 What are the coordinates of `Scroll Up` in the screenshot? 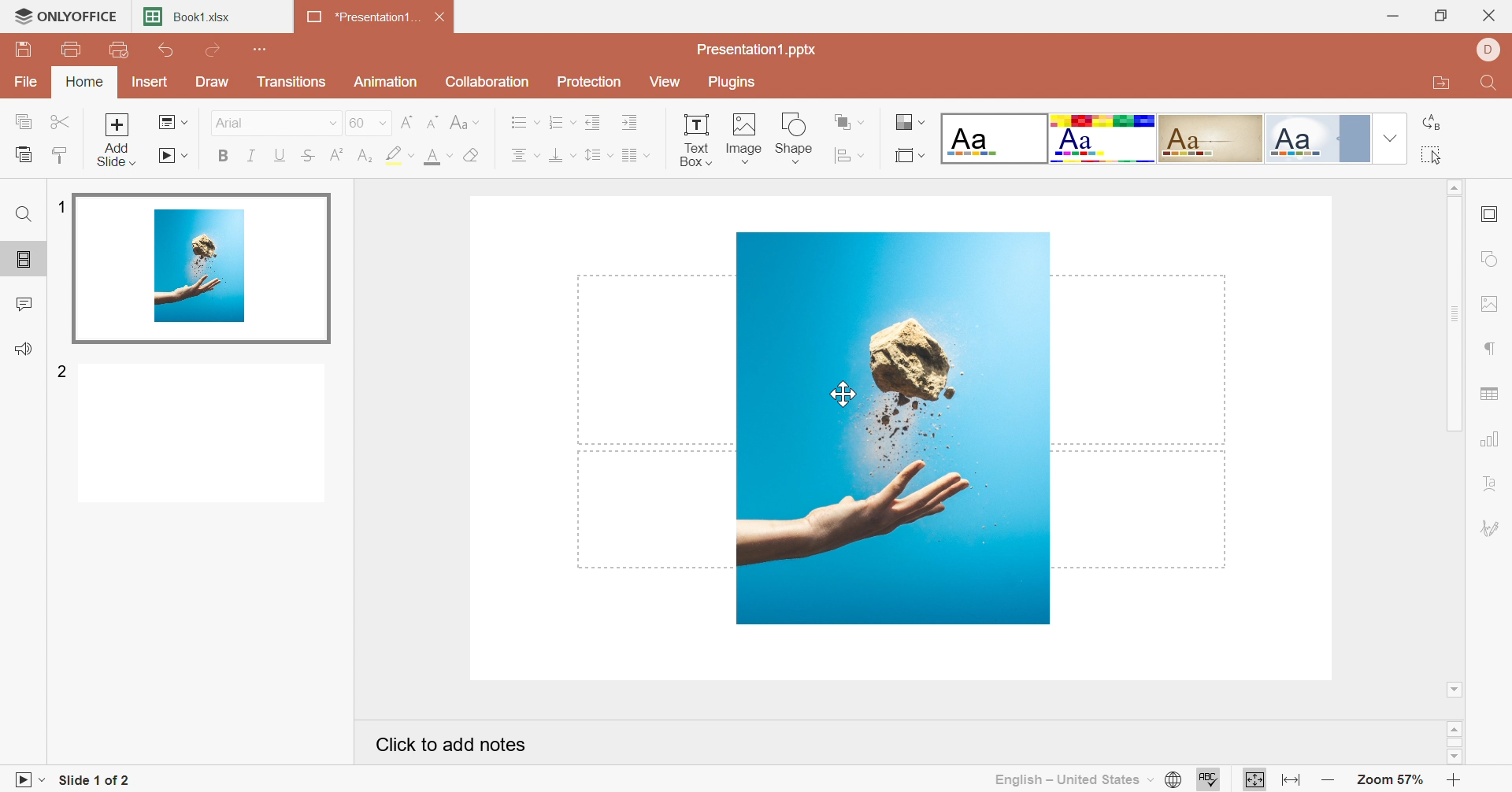 It's located at (1453, 188).